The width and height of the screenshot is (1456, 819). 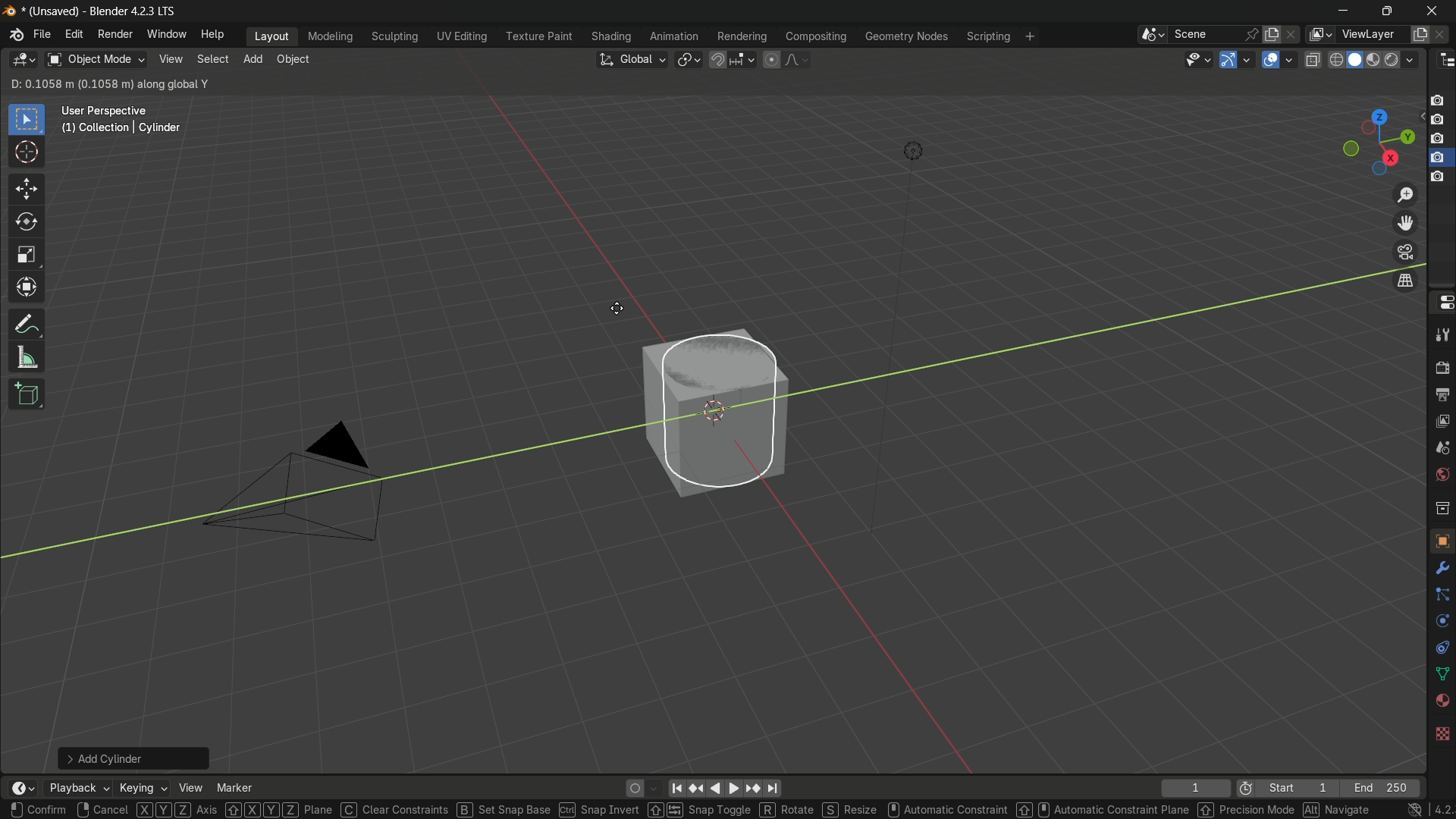 What do you see at coordinates (1441, 449) in the screenshot?
I see `scene` at bounding box center [1441, 449].